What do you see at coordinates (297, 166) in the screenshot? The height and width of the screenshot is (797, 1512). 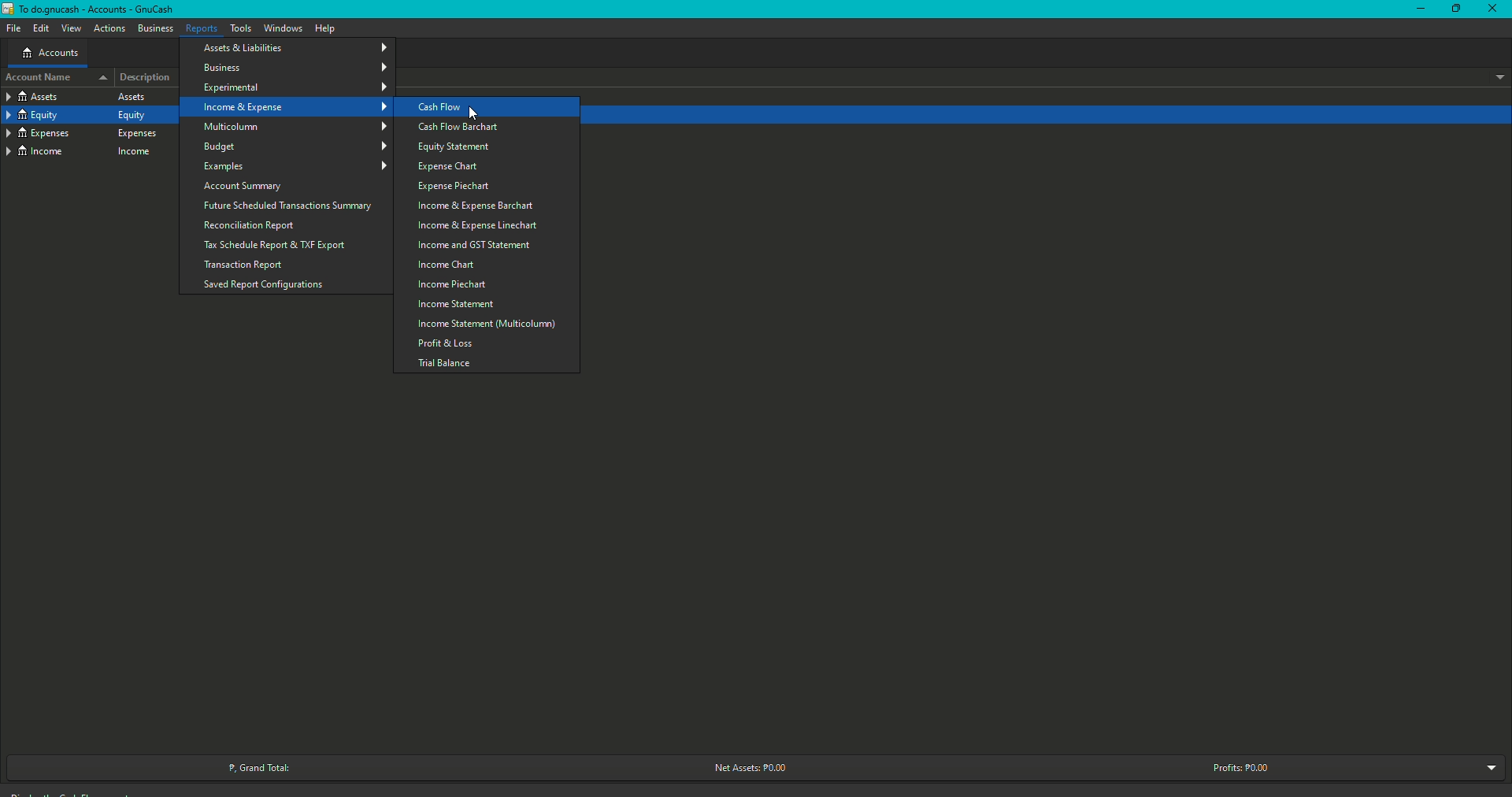 I see `Examples` at bounding box center [297, 166].